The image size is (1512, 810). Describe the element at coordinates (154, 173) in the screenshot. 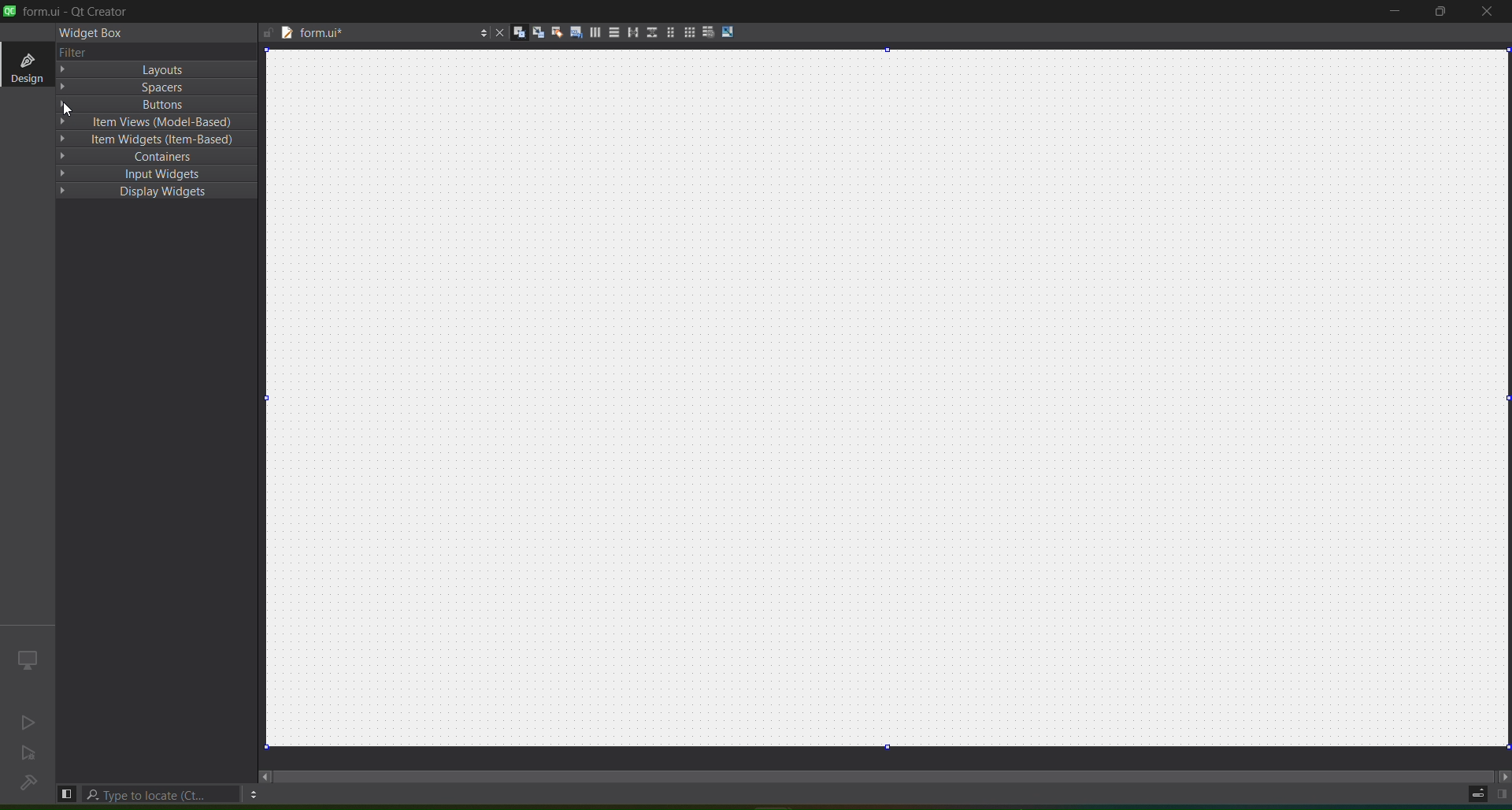

I see `input widgets` at that location.